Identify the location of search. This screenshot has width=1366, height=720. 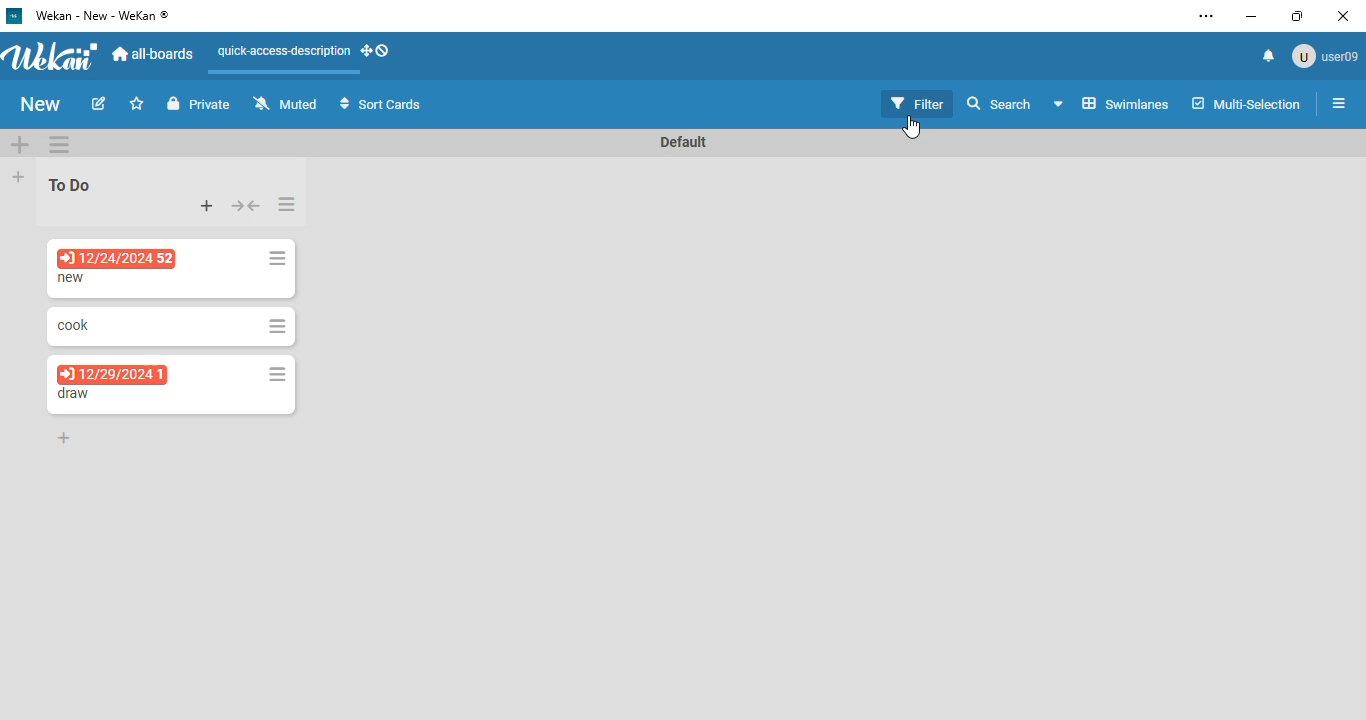
(999, 103).